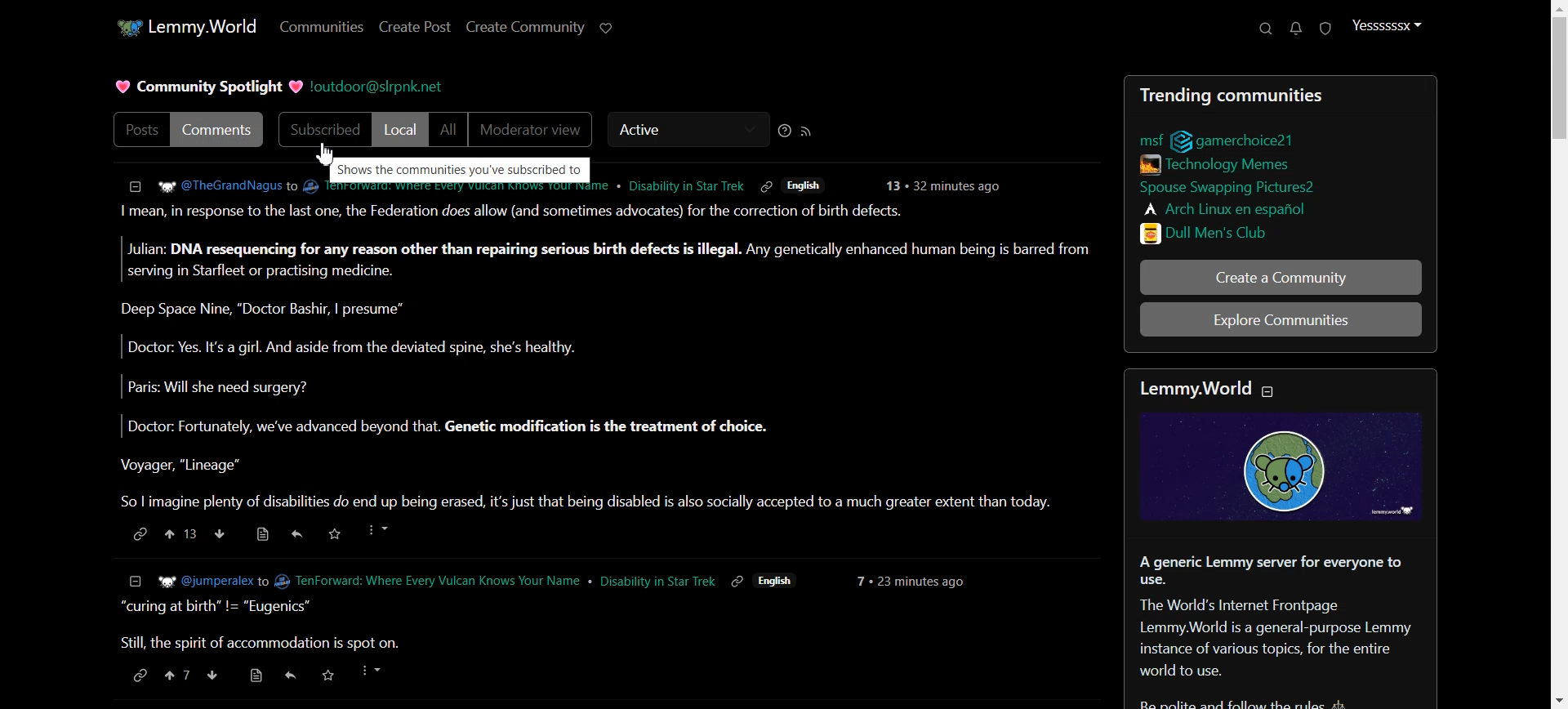 The height and width of the screenshot is (709, 1568). I want to click on copy link, so click(138, 676).